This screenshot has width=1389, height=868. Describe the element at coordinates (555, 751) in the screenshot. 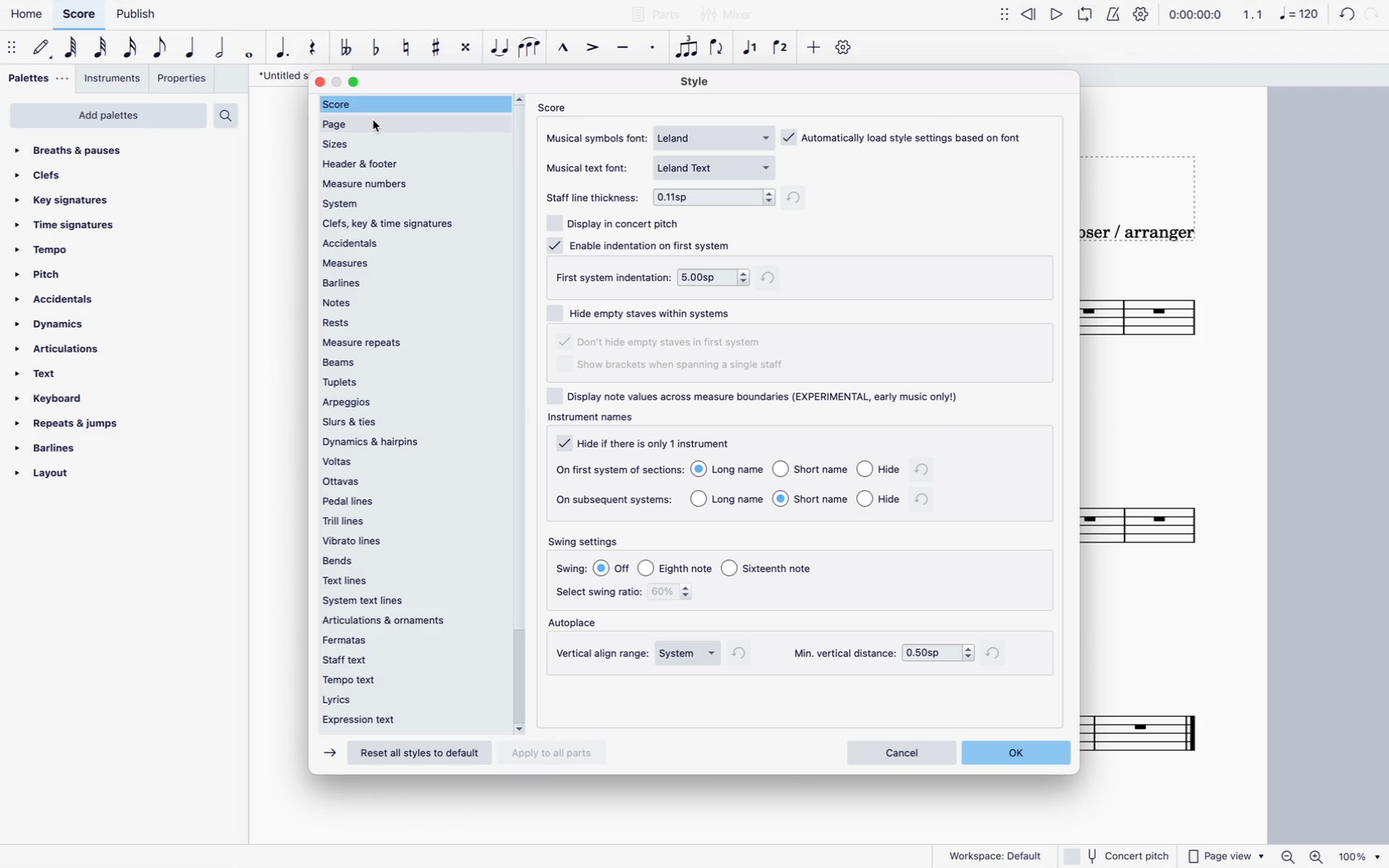

I see `apply to all parts` at that location.